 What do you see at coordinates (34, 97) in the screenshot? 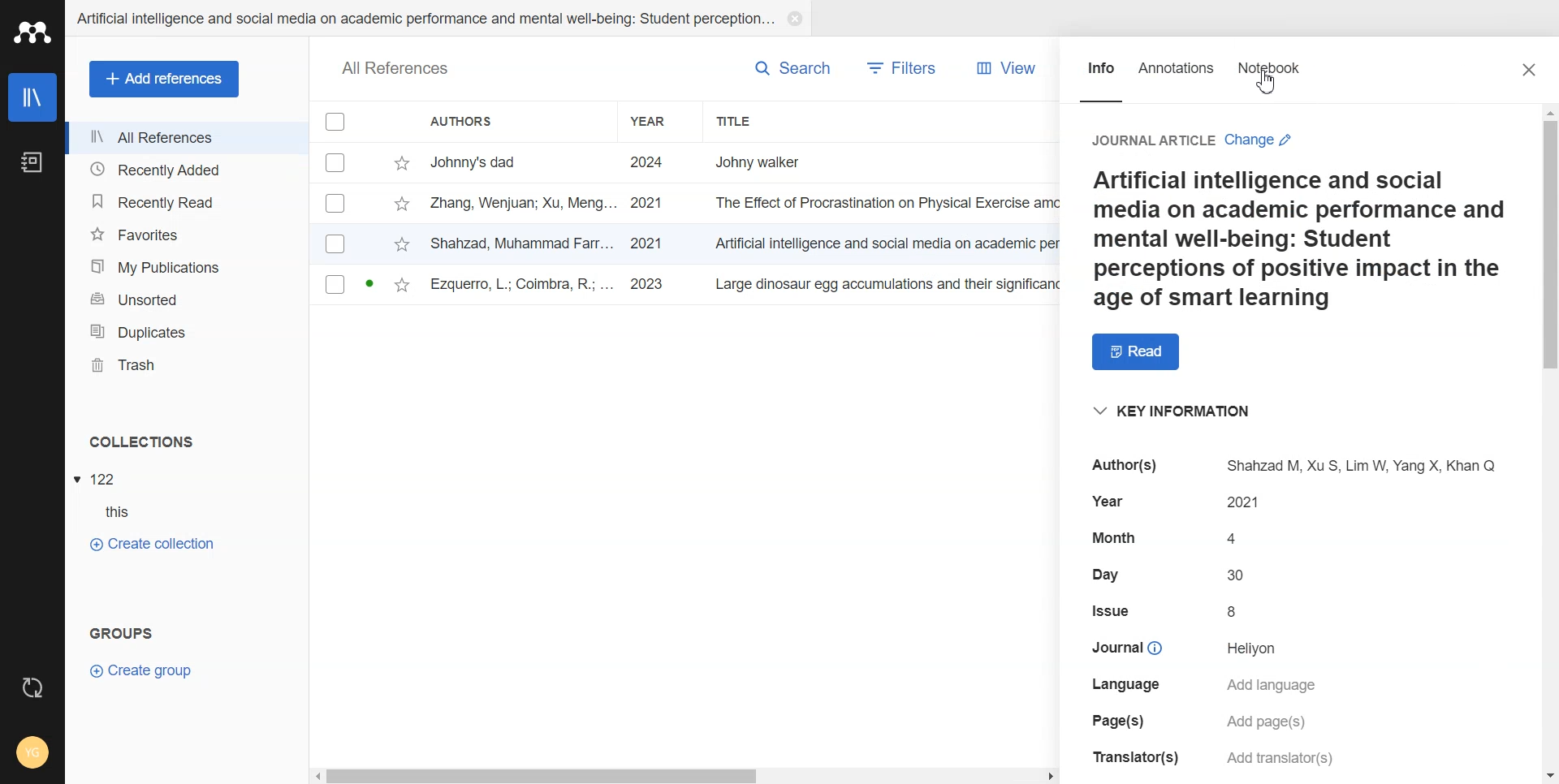
I see `Library` at bounding box center [34, 97].